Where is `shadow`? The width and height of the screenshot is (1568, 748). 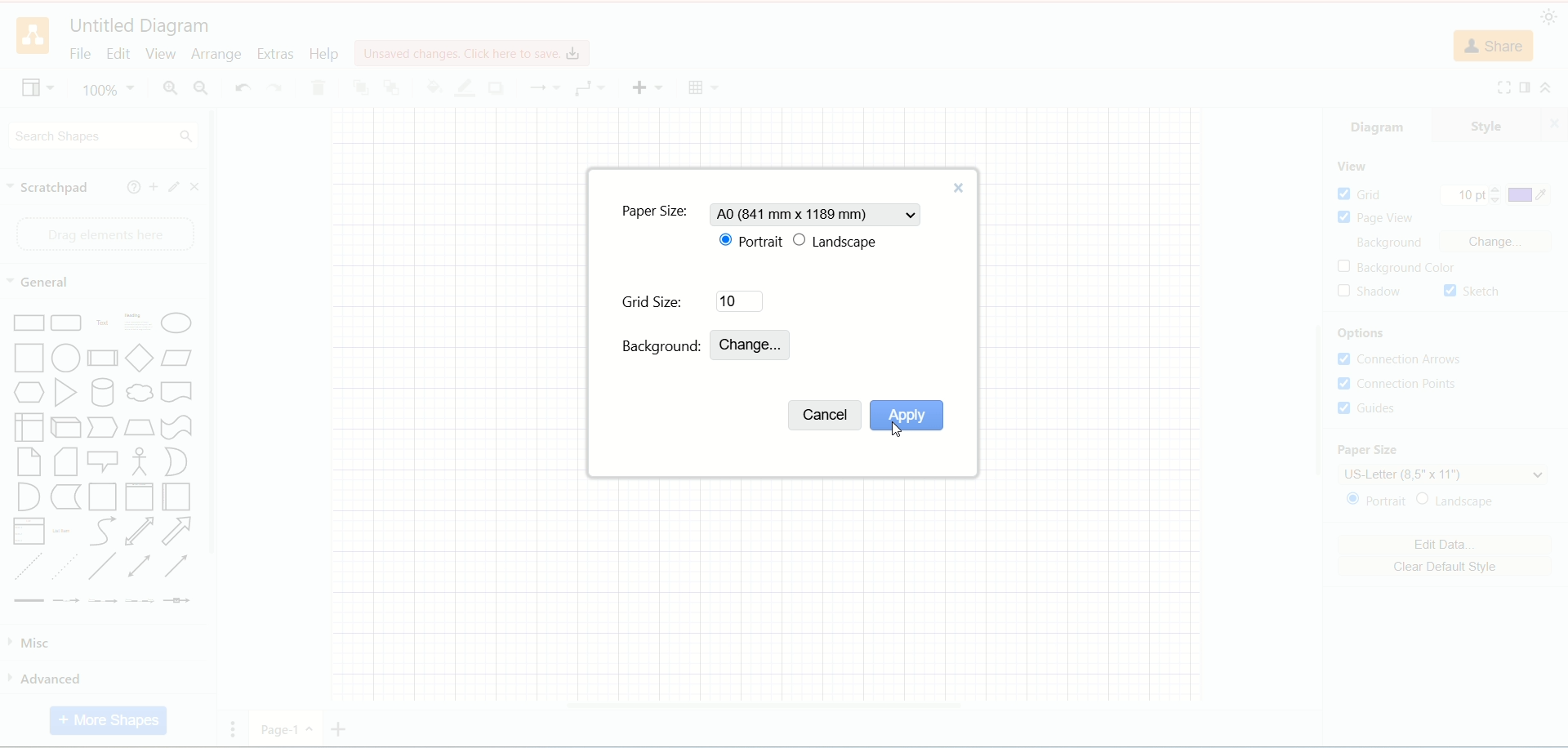 shadow is located at coordinates (1370, 292).